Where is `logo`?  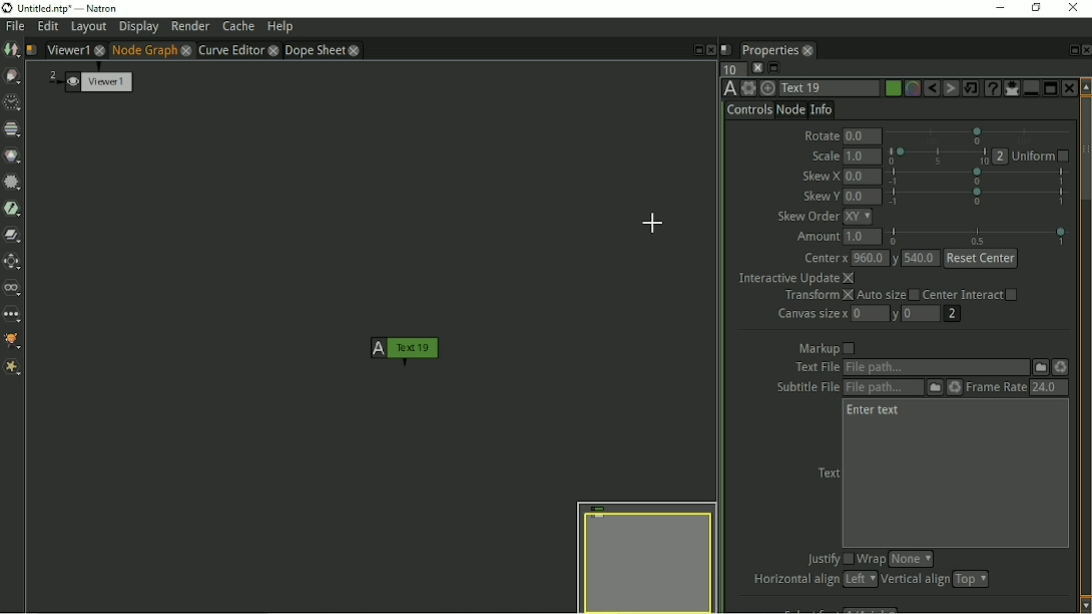
logo is located at coordinates (8, 8).